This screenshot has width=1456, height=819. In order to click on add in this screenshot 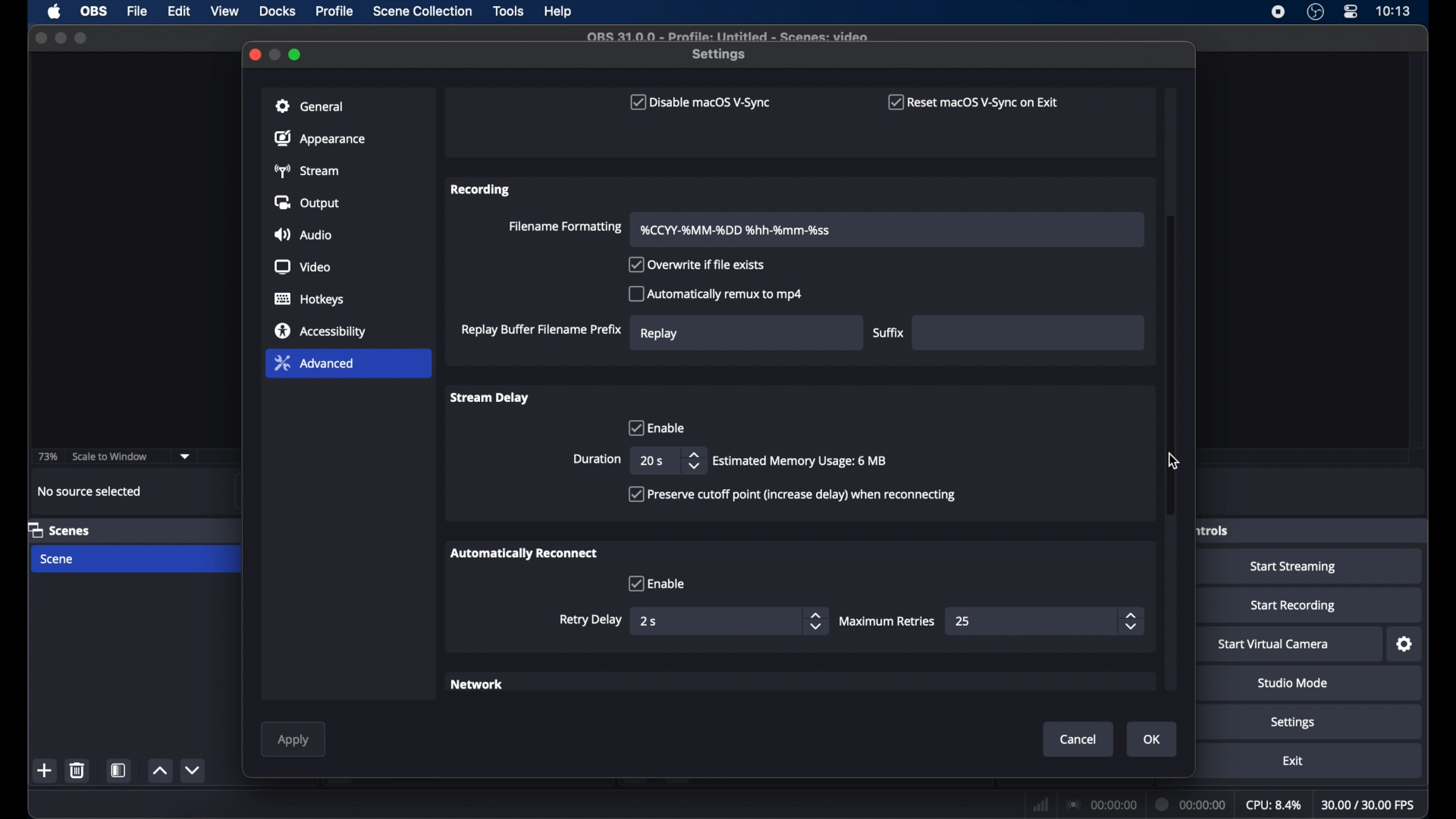, I will do `click(45, 770)`.